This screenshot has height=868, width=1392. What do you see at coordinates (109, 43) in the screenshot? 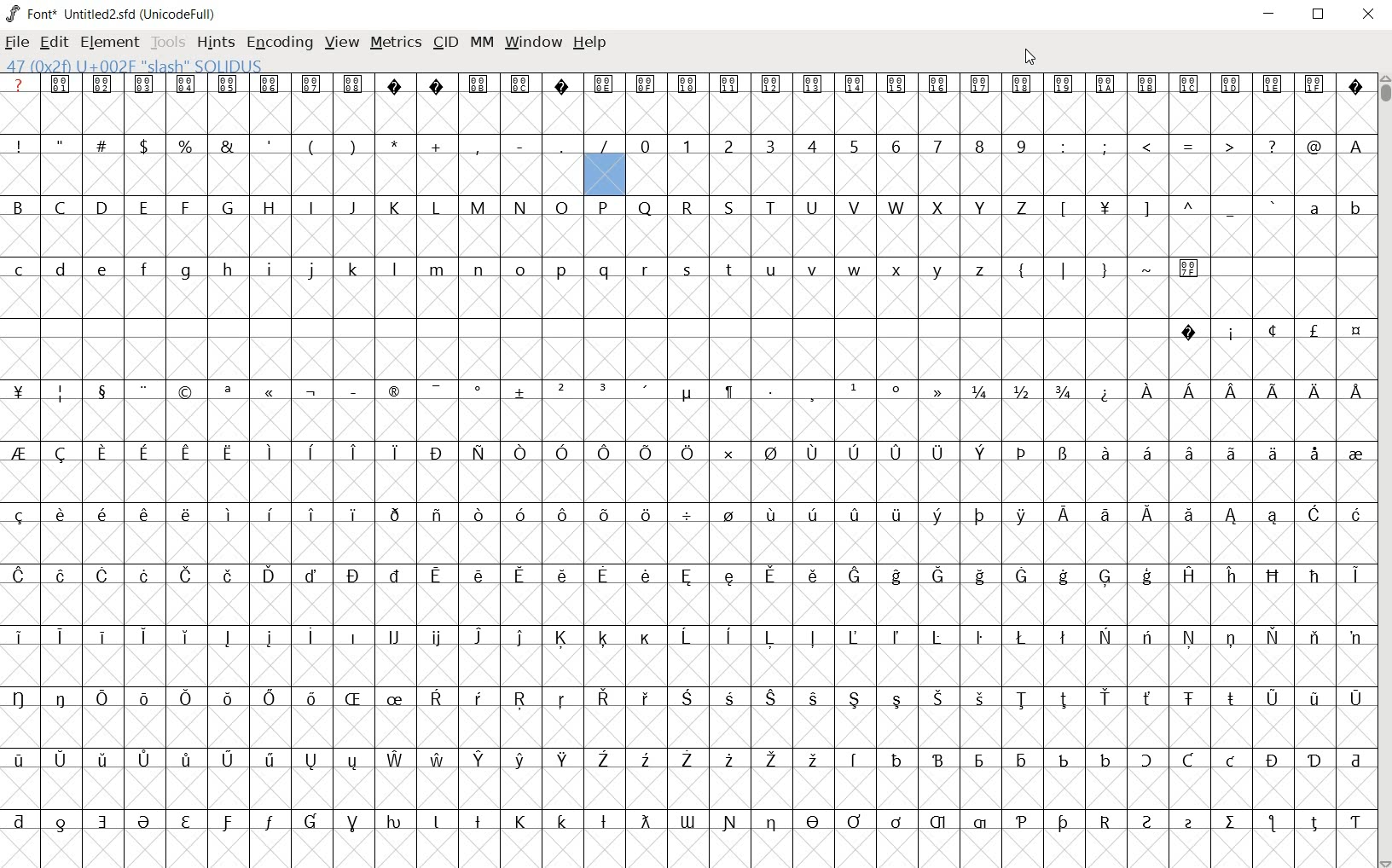
I see `ELEMENT` at bounding box center [109, 43].